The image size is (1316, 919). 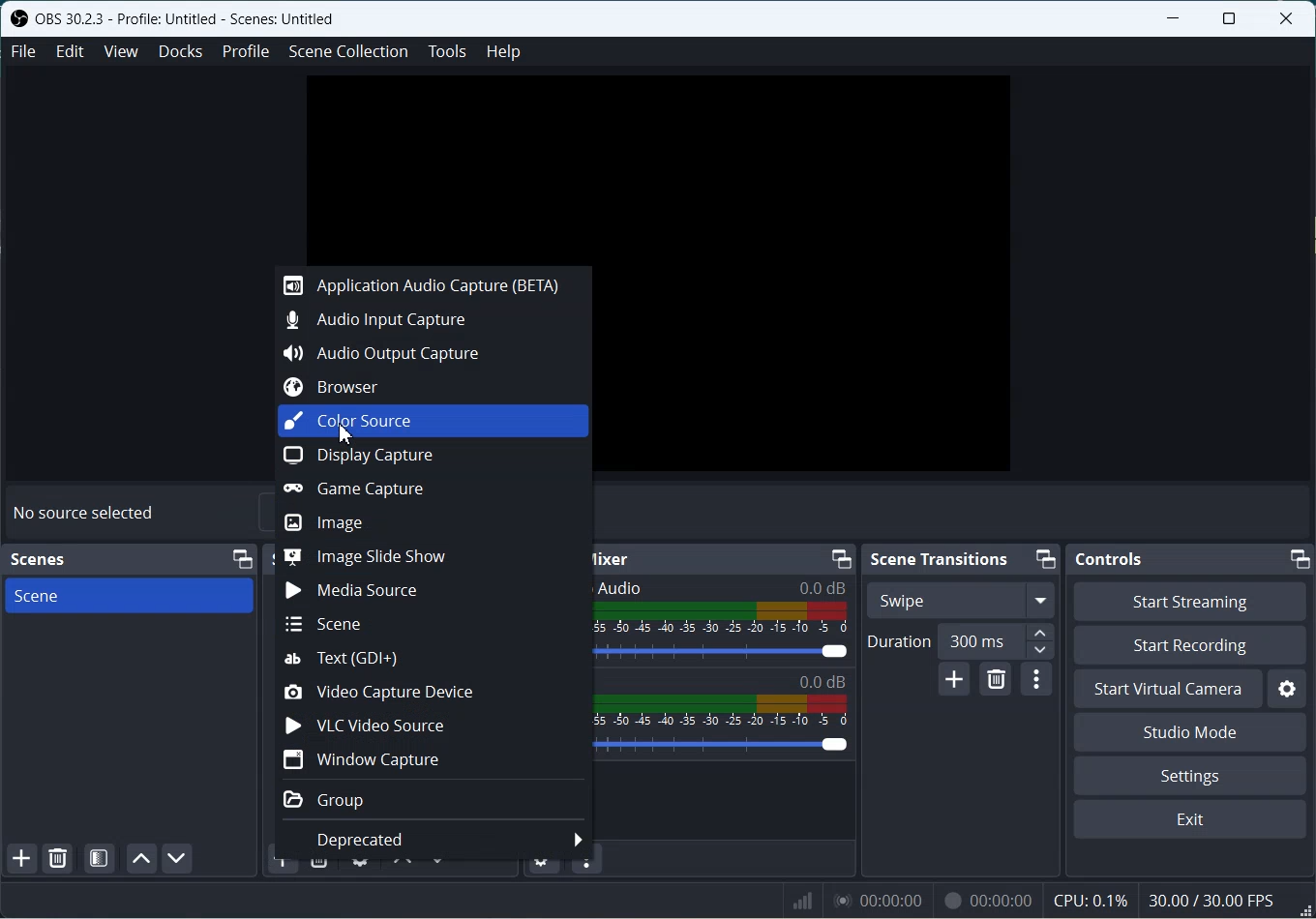 What do you see at coordinates (433, 455) in the screenshot?
I see `Display Capture` at bounding box center [433, 455].